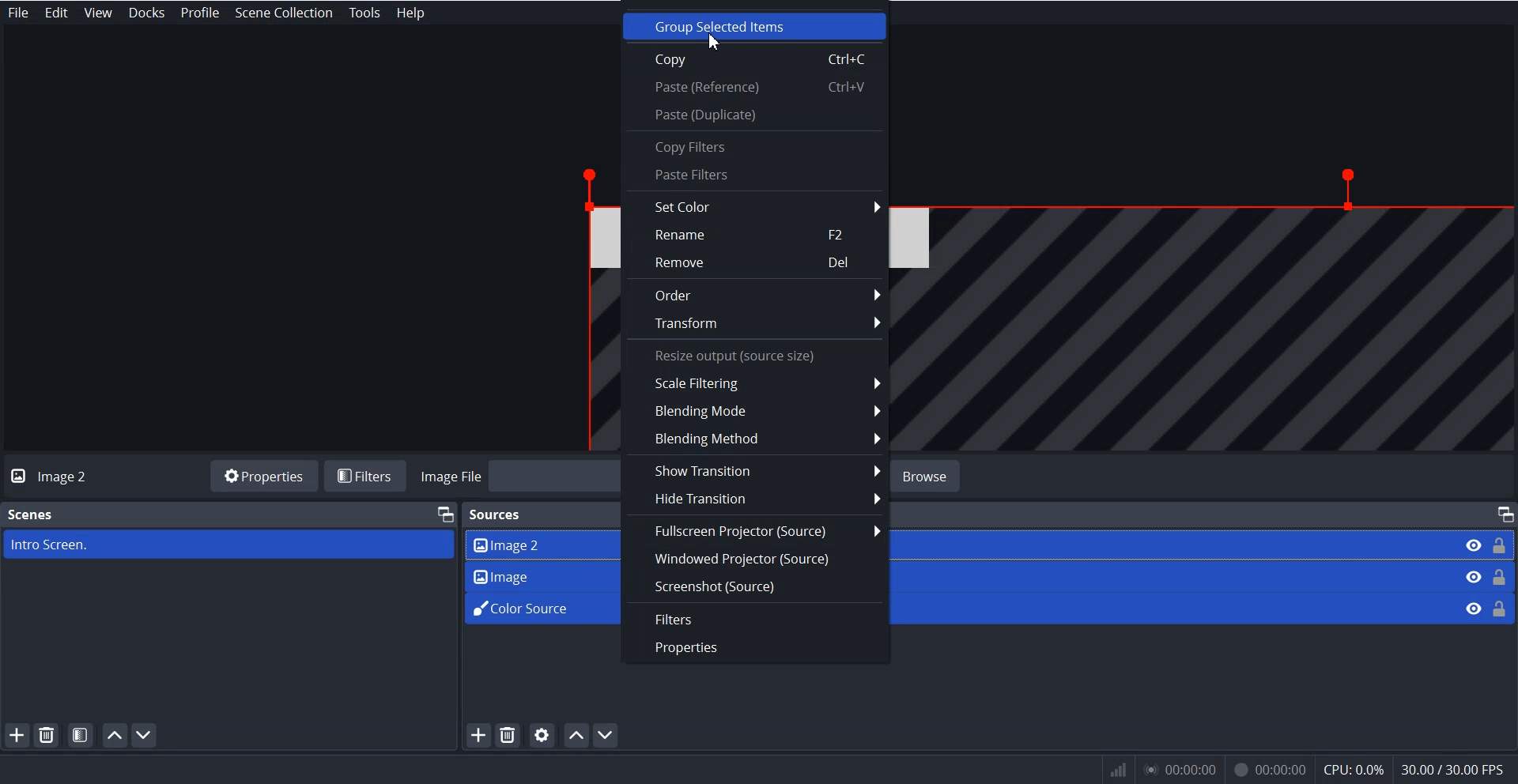  I want to click on Del, so click(833, 264).